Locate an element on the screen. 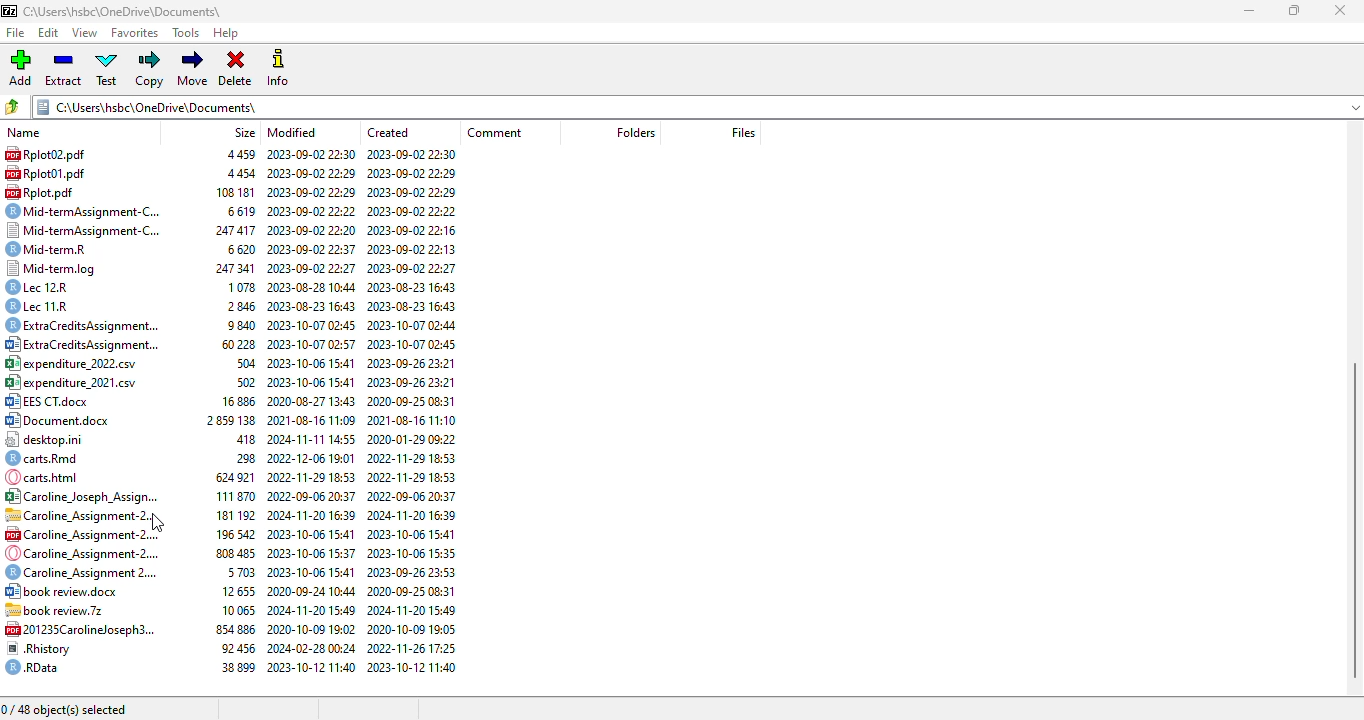 This screenshot has height=720, width=1364. 2020-01-29 09:22 is located at coordinates (411, 440).